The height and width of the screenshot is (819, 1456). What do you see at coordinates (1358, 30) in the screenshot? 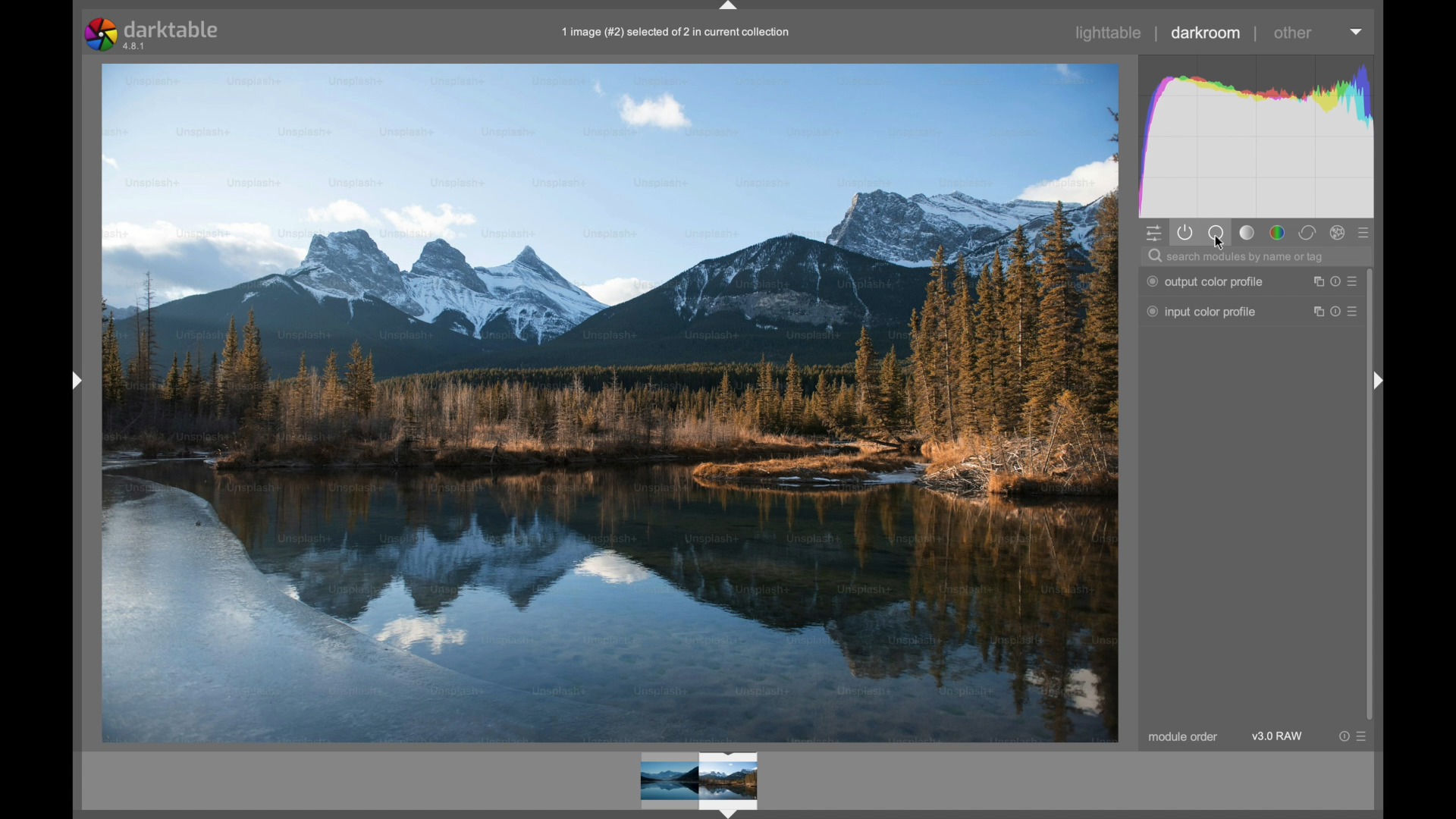
I see `dropdown ` at bounding box center [1358, 30].